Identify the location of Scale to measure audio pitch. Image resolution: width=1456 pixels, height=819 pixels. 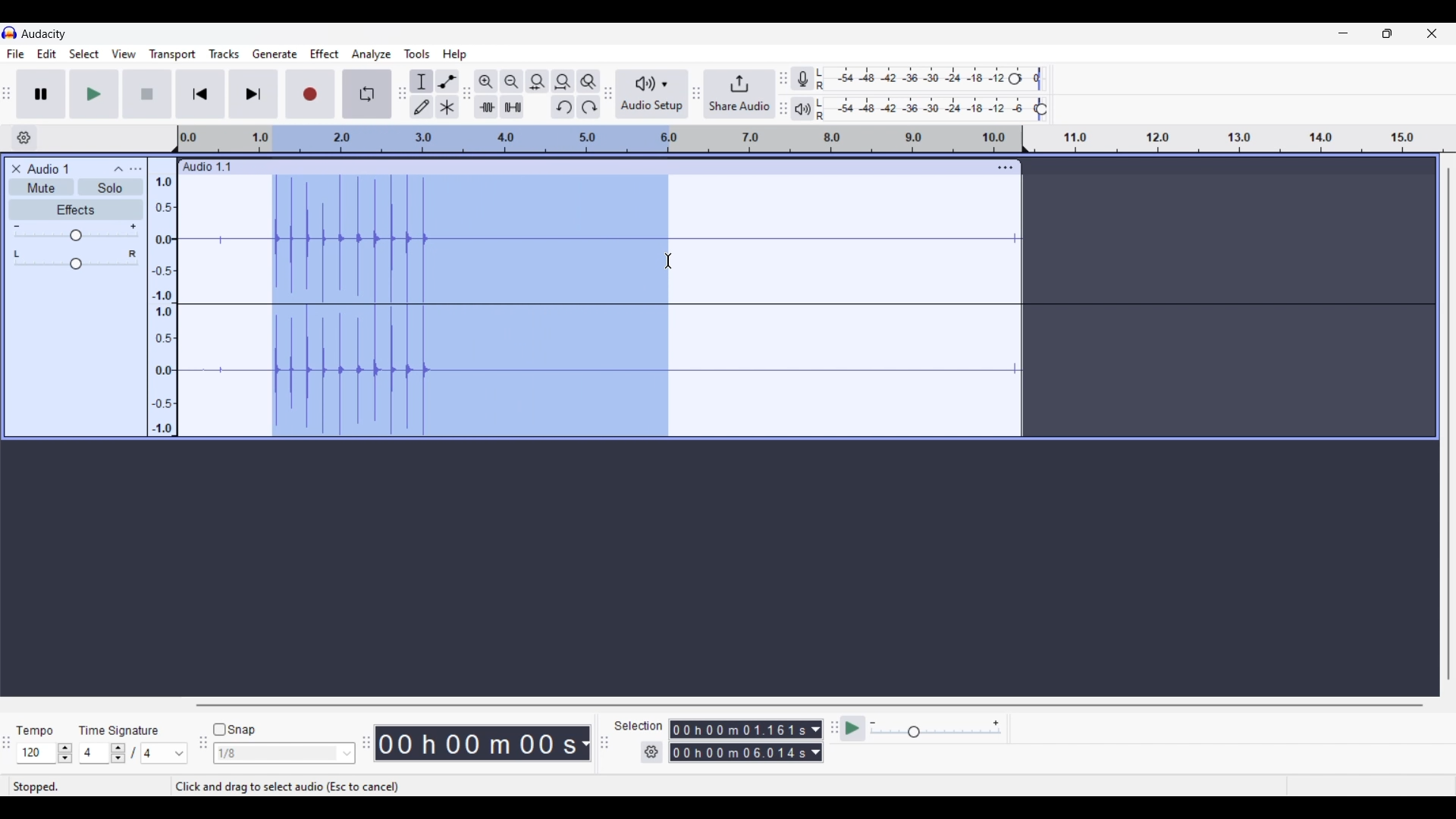
(162, 297).